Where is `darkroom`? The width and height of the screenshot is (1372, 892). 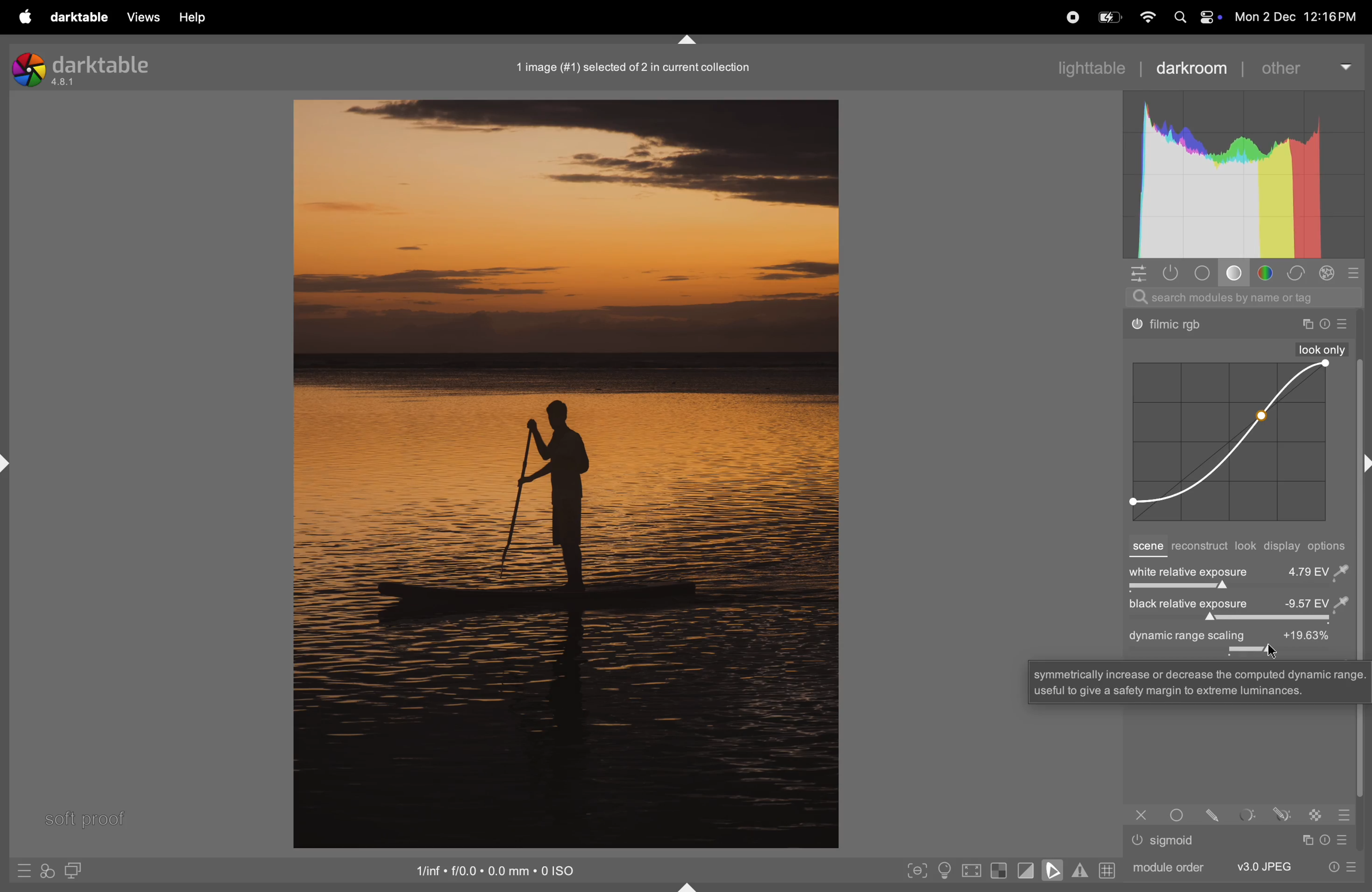 darkroom is located at coordinates (1192, 67).